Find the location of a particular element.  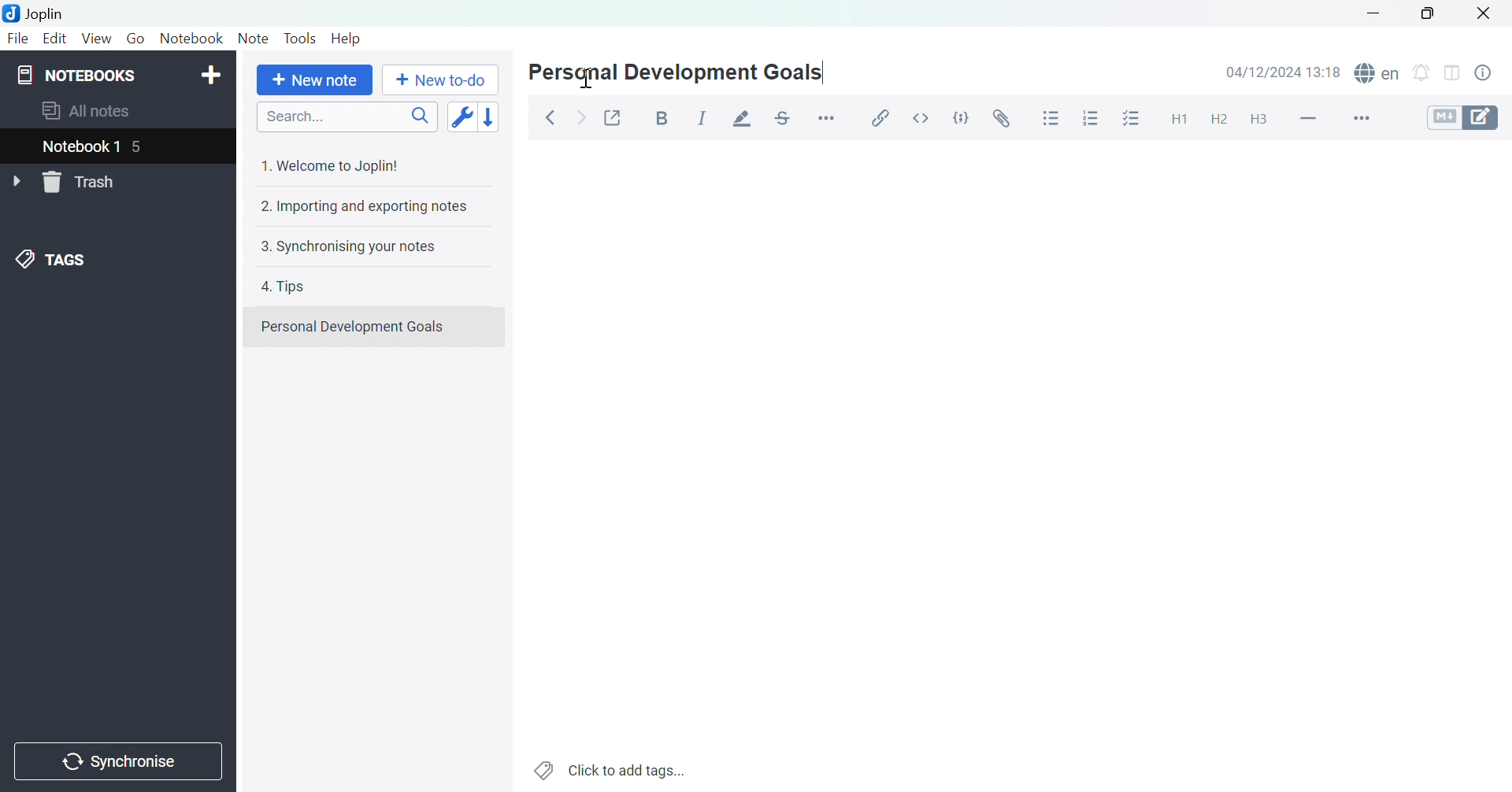

New to-do is located at coordinates (440, 80).